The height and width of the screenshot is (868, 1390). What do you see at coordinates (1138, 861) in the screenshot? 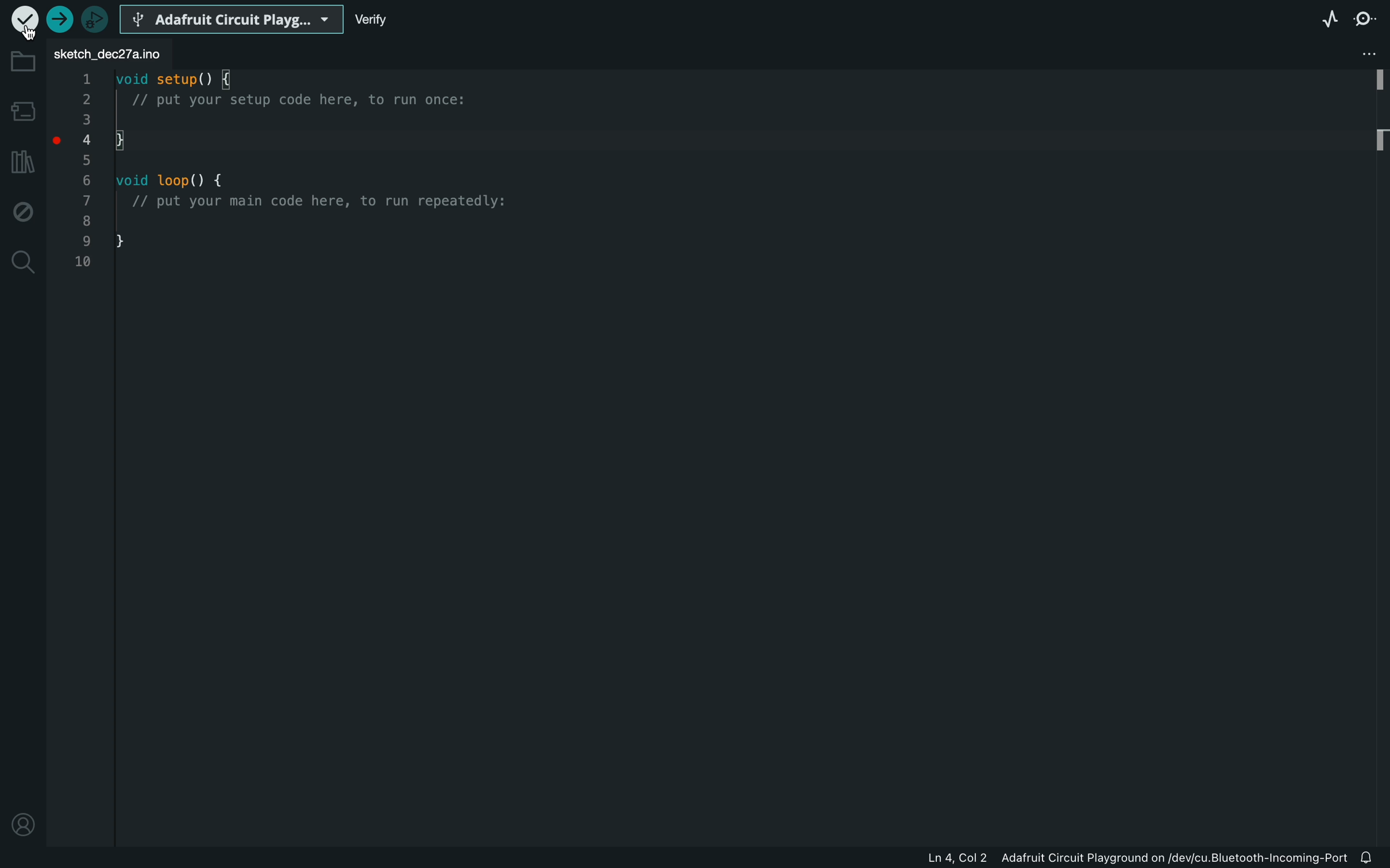
I see `file information` at bounding box center [1138, 861].